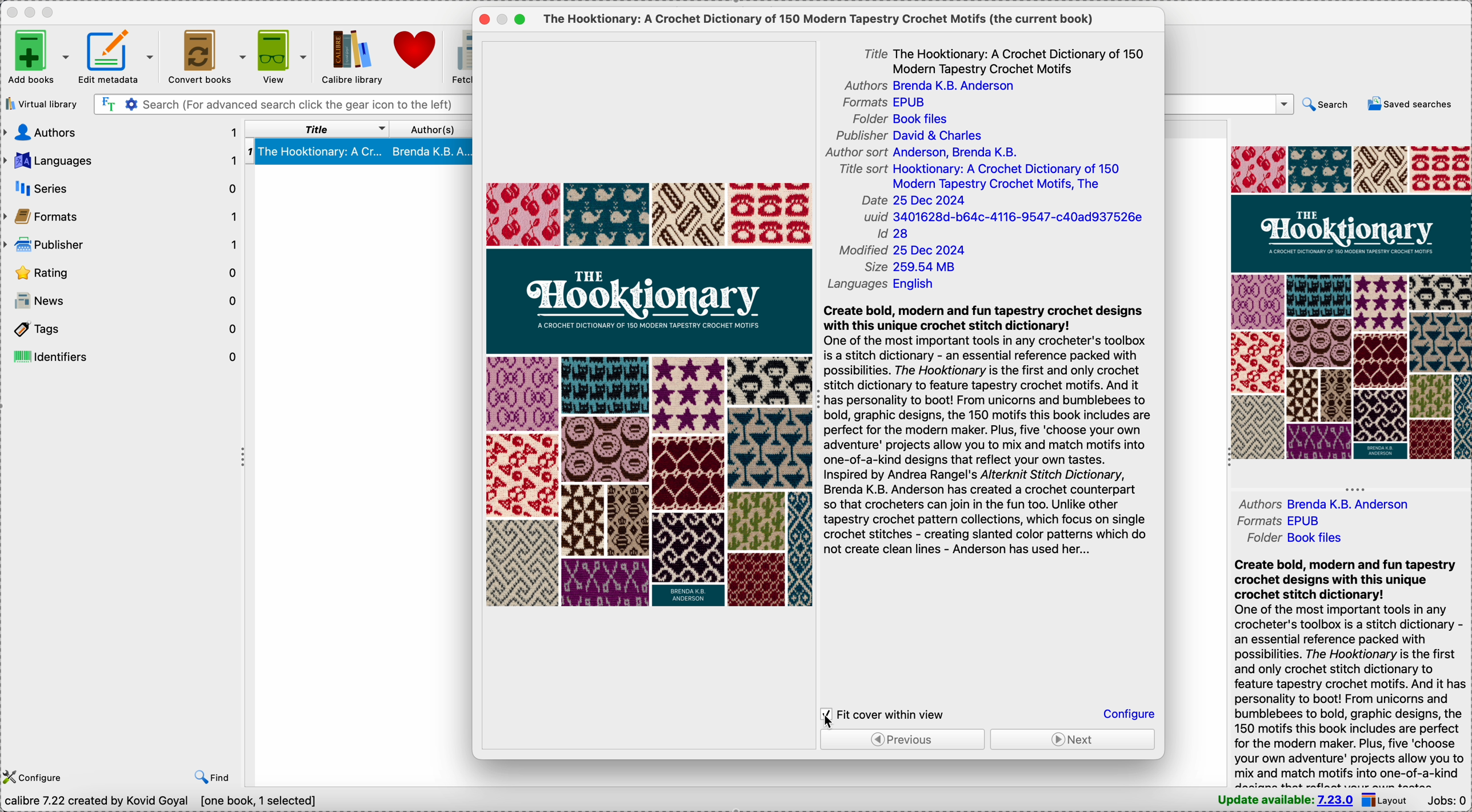 This screenshot has height=812, width=1472. I want to click on layout, so click(1387, 800).